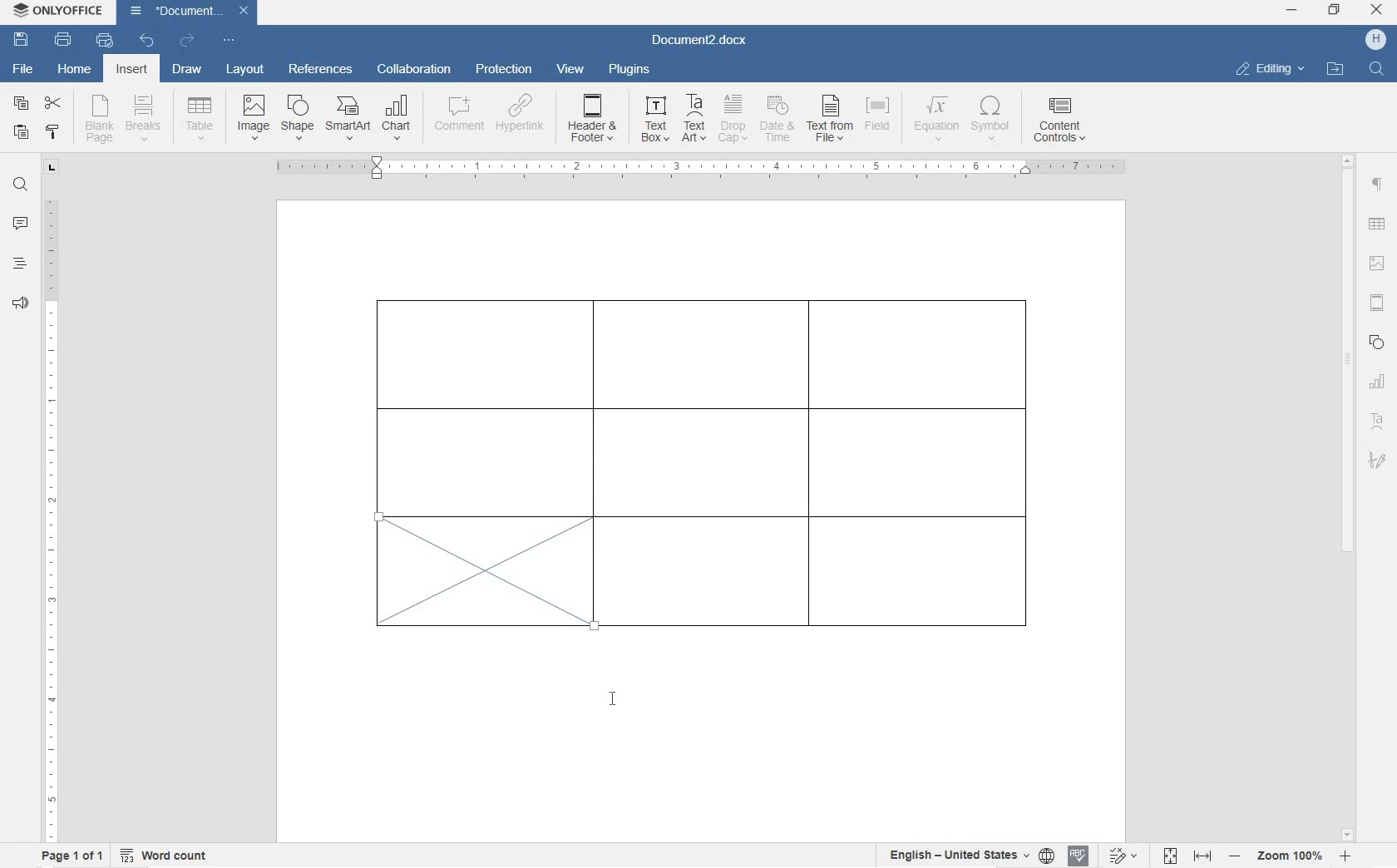 This screenshot has height=868, width=1397. I want to click on image settings, so click(1376, 264).